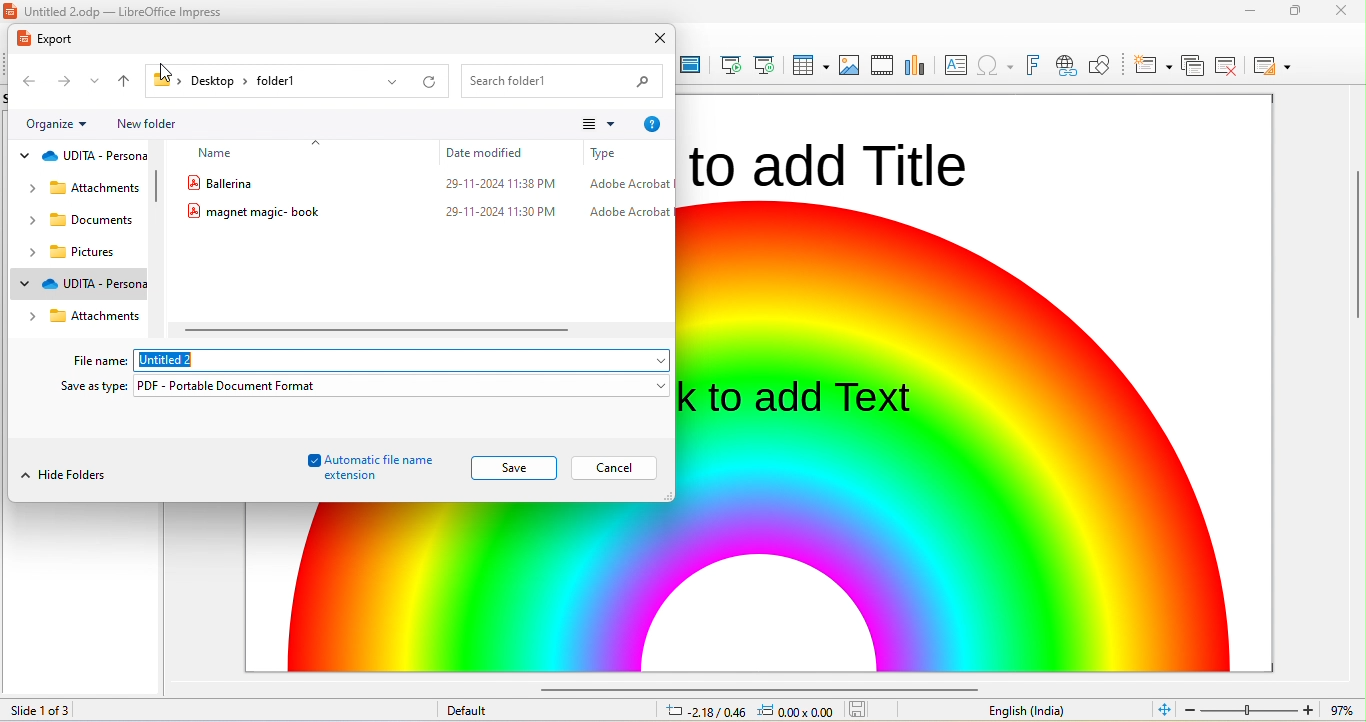 The width and height of the screenshot is (1366, 722). I want to click on vertical scroll, so click(161, 192).